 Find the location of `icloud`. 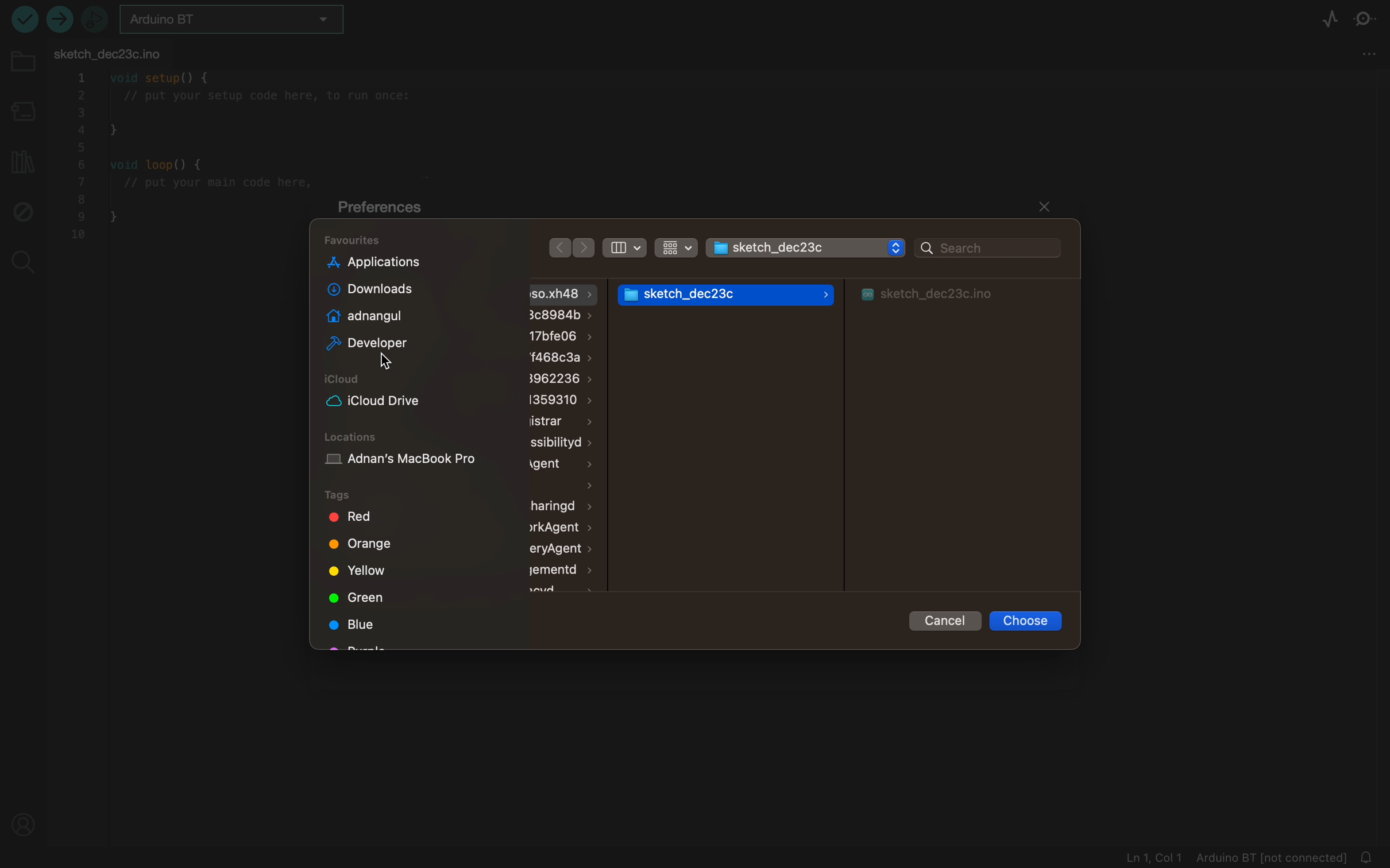

icloud is located at coordinates (376, 395).